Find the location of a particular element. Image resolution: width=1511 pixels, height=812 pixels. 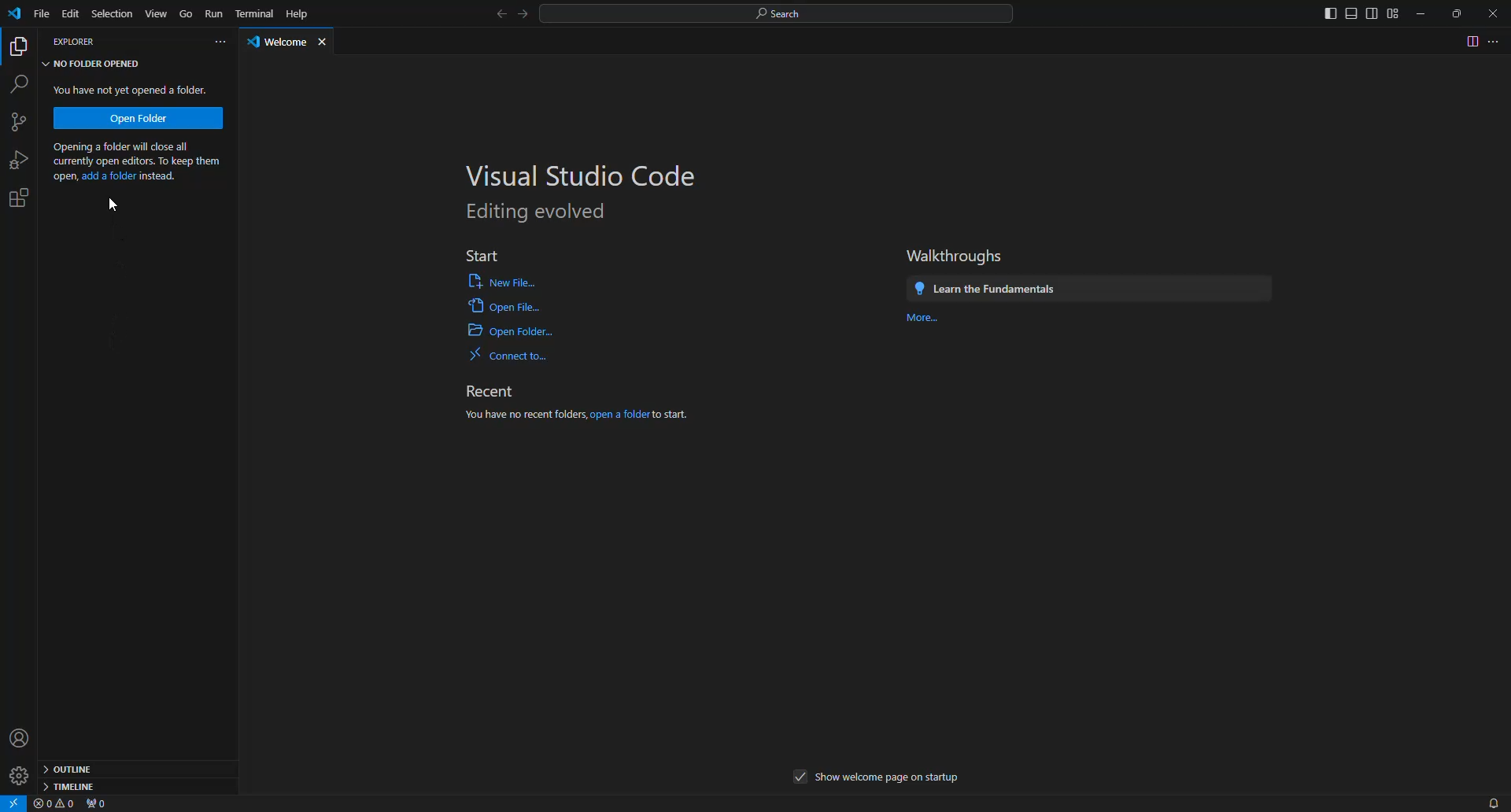

manage is located at coordinates (20, 774).